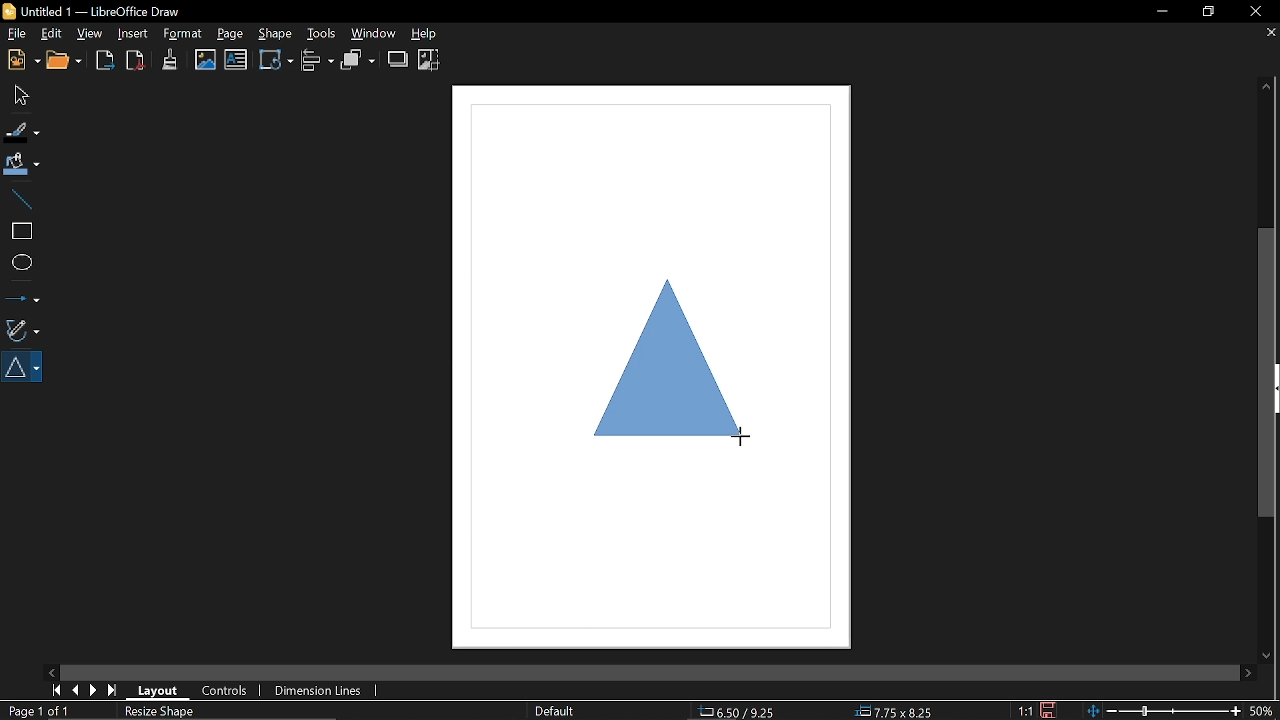 The height and width of the screenshot is (720, 1280). I want to click on resize shape, so click(160, 712).